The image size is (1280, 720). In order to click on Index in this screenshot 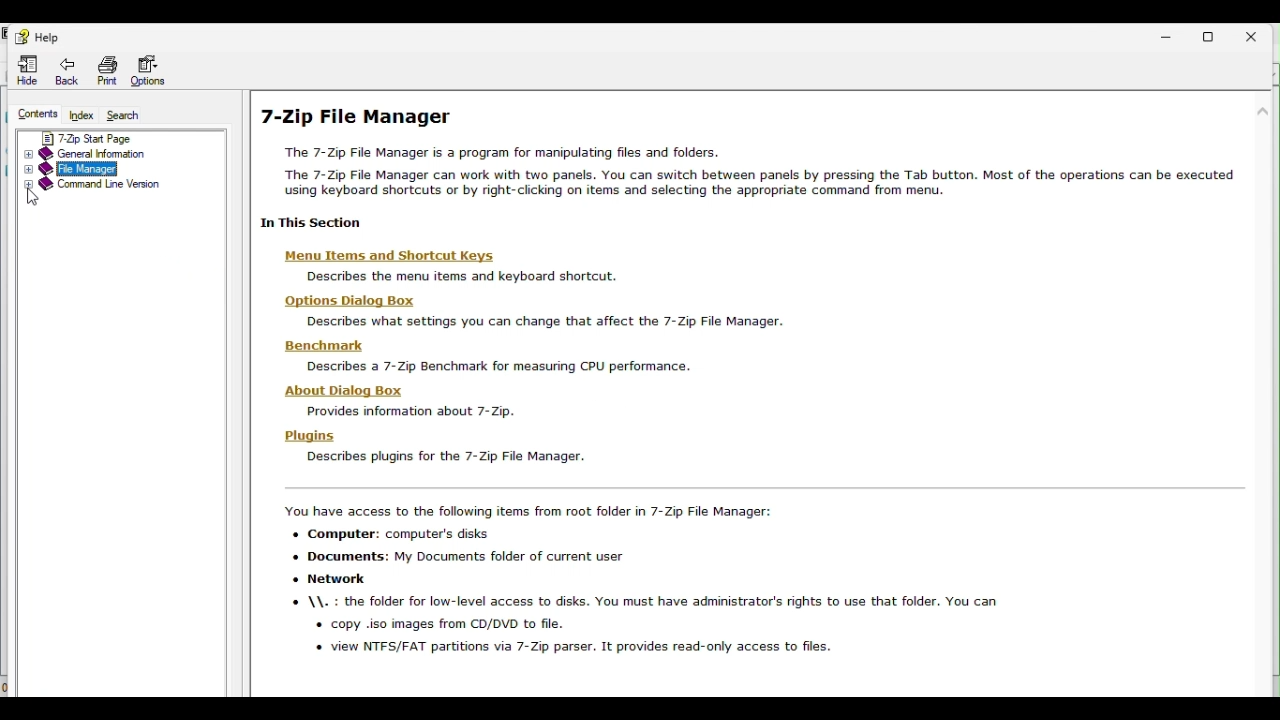, I will do `click(84, 116)`.